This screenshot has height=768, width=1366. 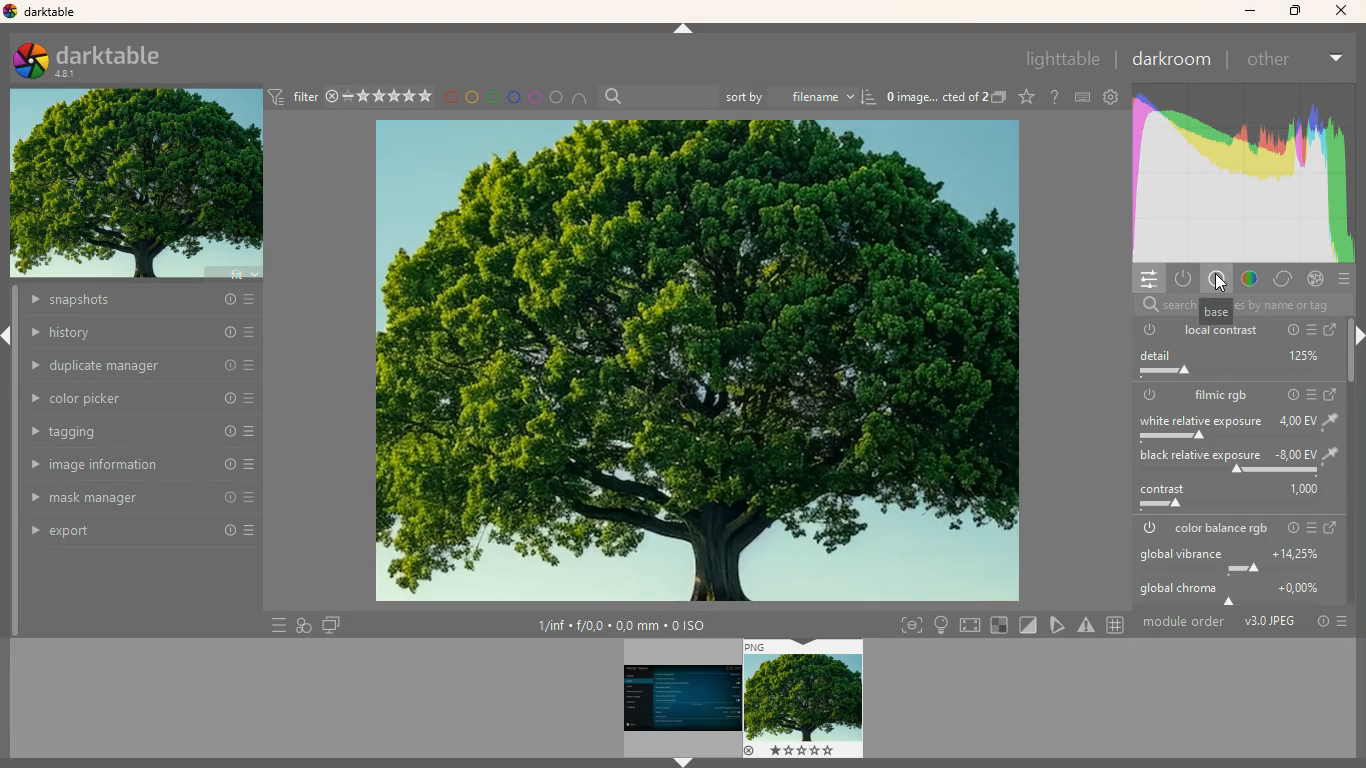 I want to click on favorite, so click(x=1024, y=98).